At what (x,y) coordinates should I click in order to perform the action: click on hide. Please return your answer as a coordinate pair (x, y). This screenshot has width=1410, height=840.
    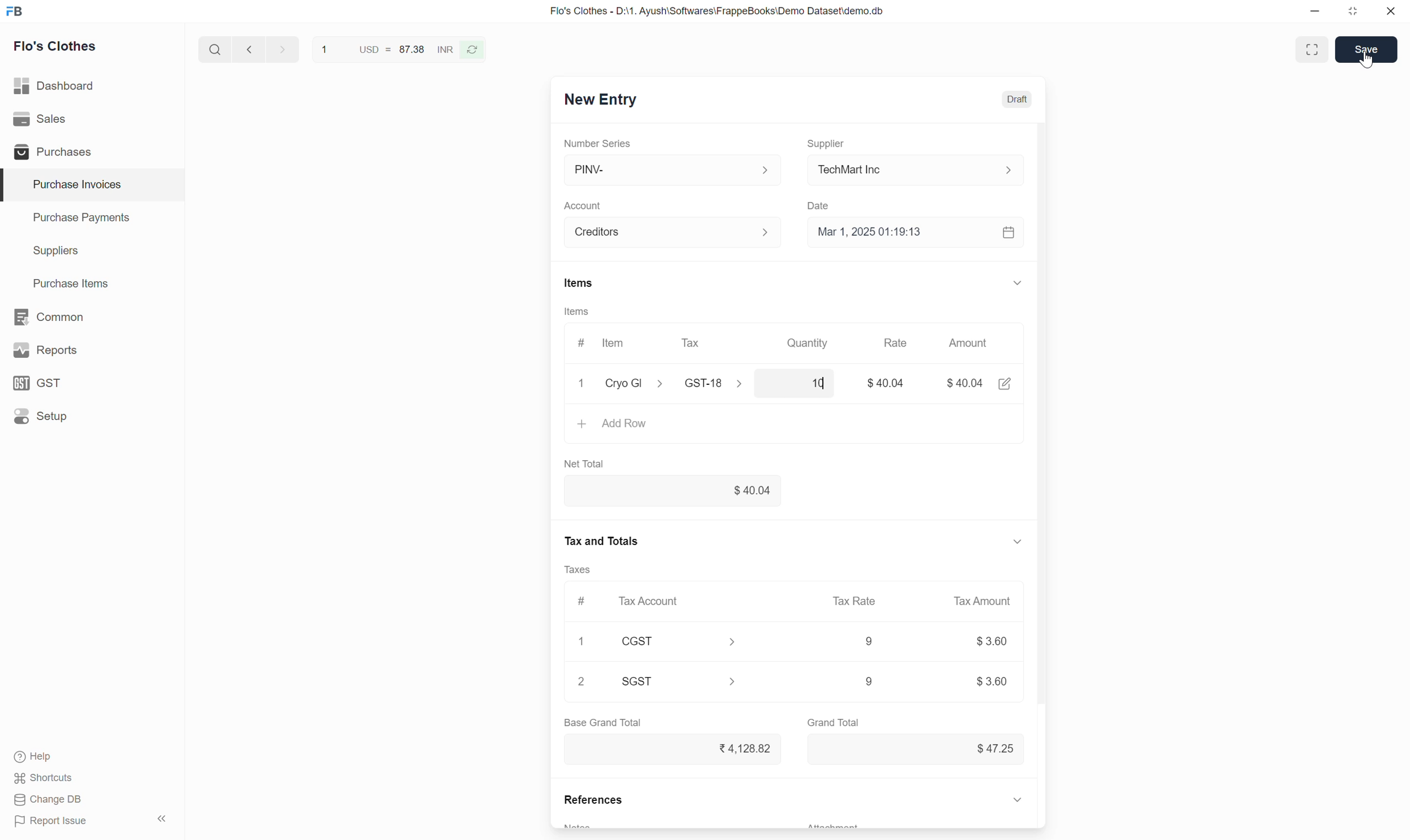
    Looking at the image, I should click on (160, 817).